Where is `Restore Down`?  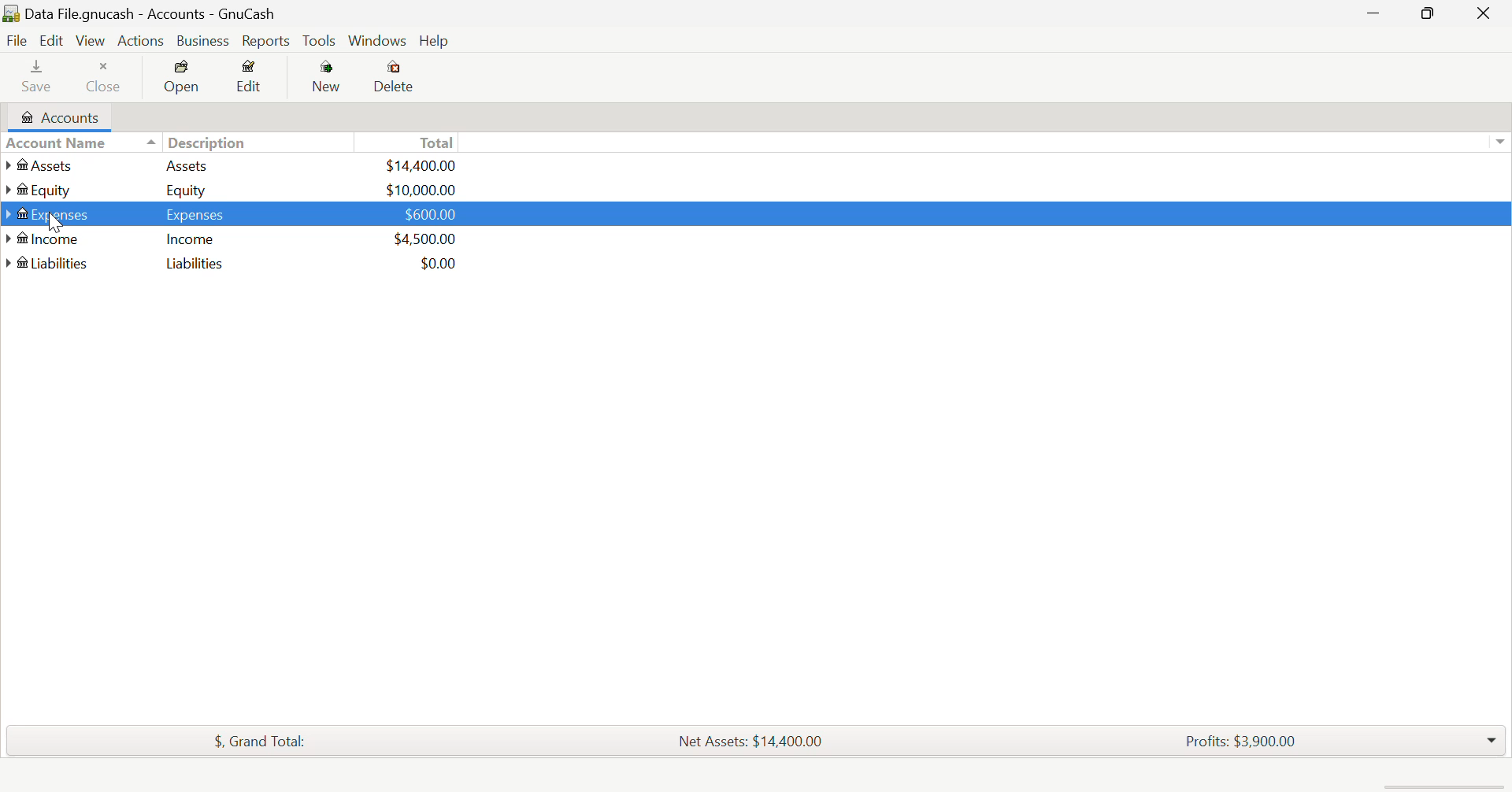 Restore Down is located at coordinates (1380, 13).